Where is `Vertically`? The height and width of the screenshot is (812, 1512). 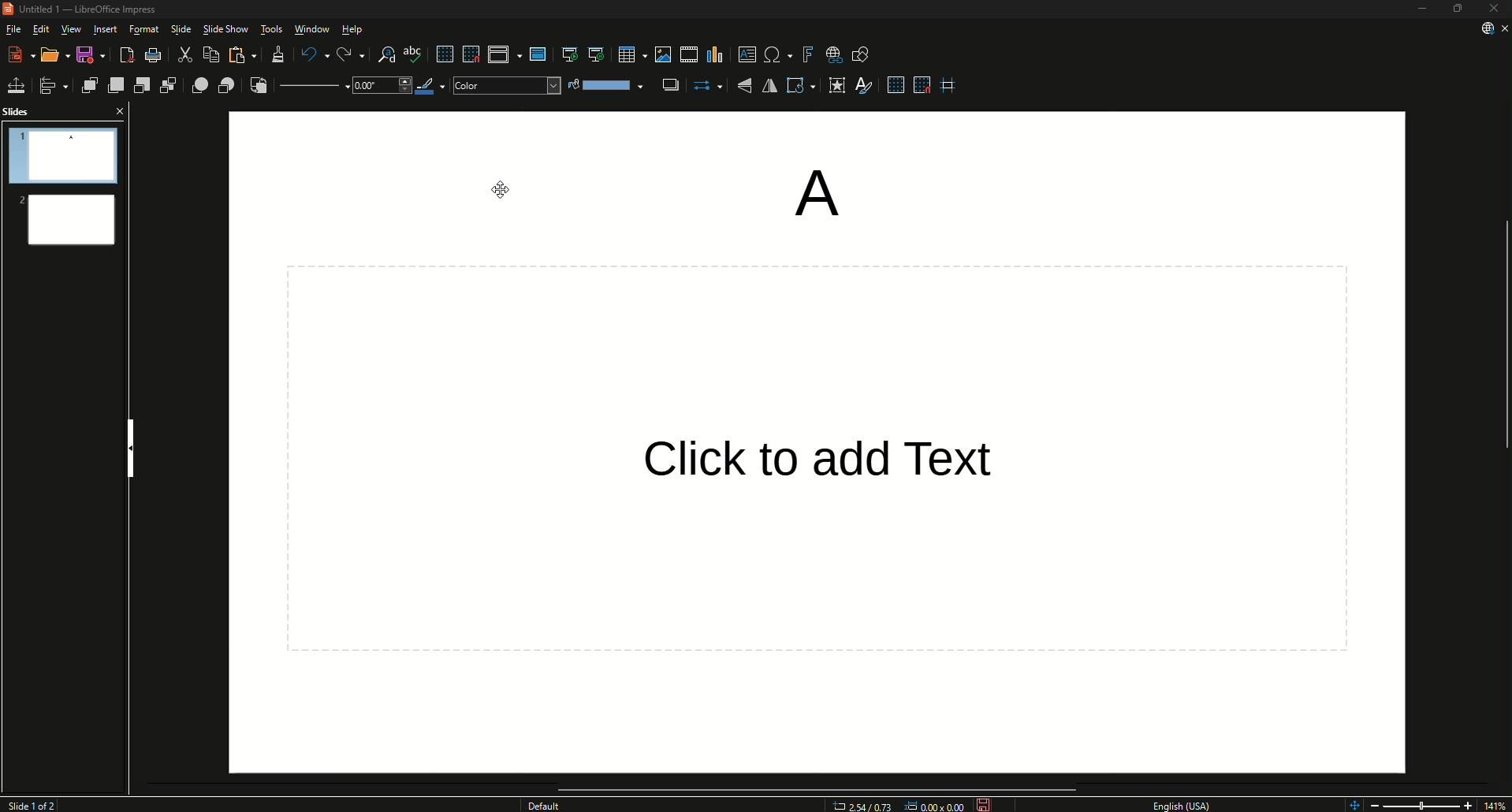
Vertically is located at coordinates (746, 87).